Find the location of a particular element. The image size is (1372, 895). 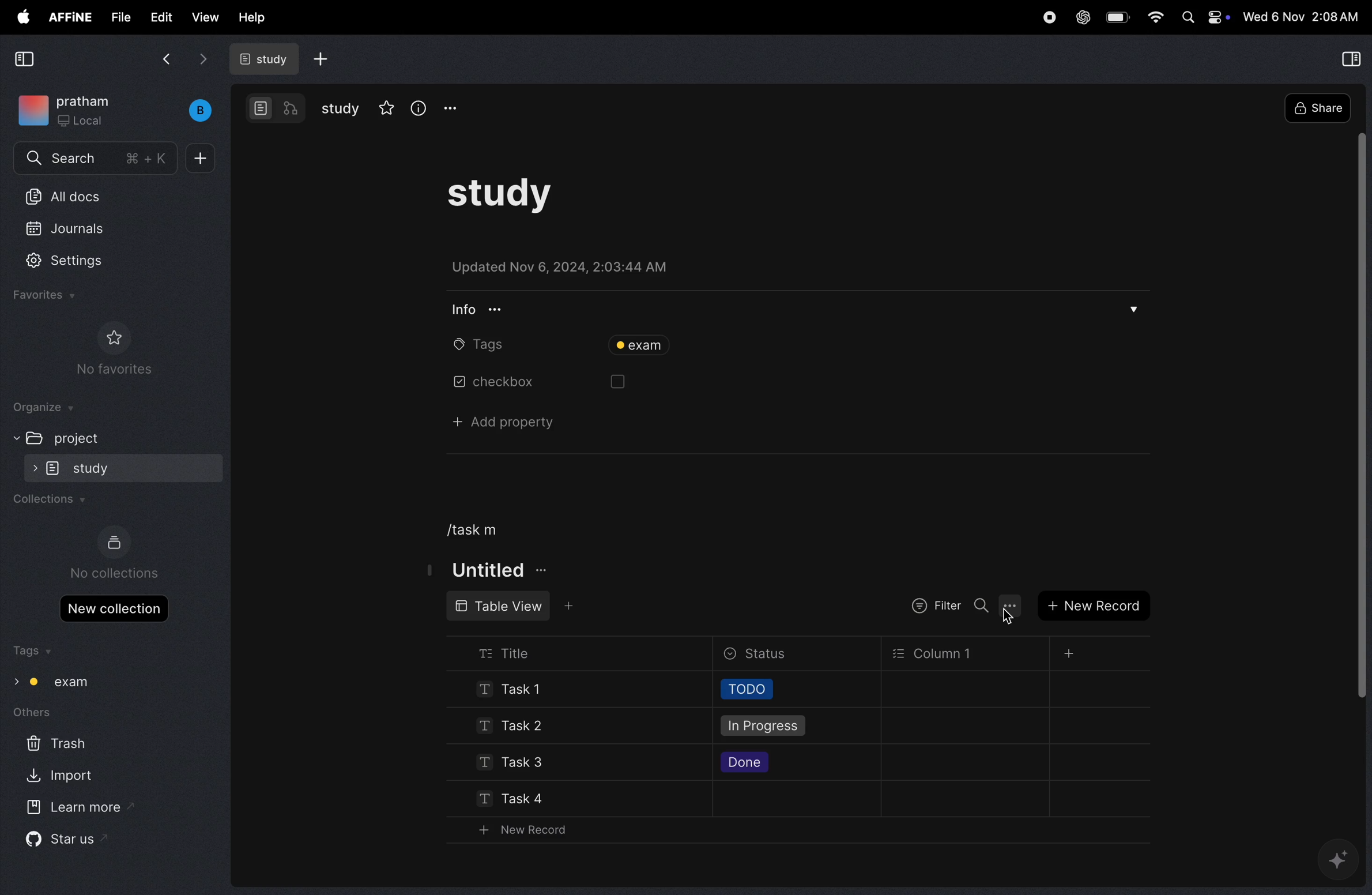

favourites is located at coordinates (48, 298).